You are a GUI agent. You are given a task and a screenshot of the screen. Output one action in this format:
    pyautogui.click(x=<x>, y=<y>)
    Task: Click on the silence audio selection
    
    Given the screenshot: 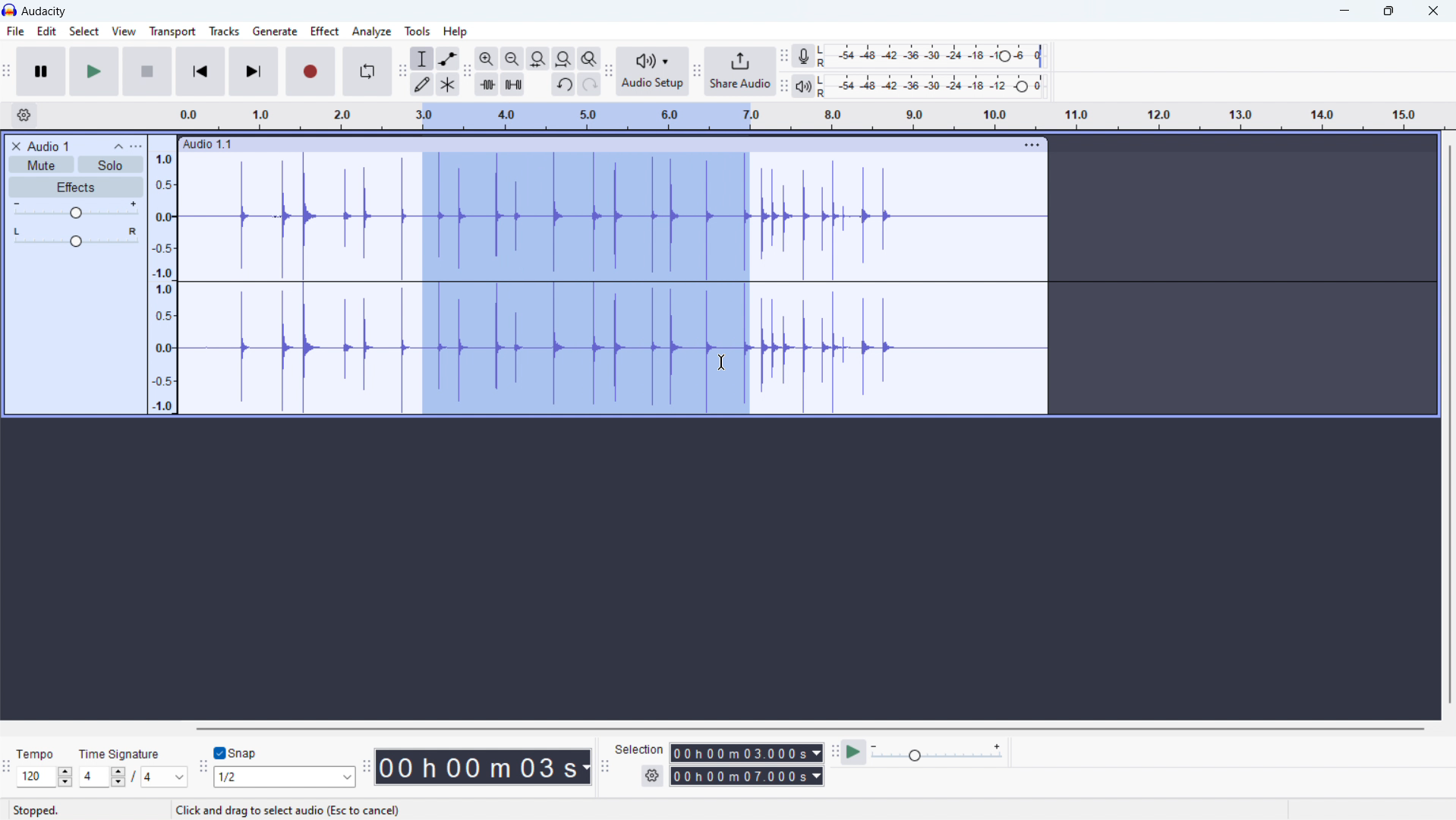 What is the action you would take?
    pyautogui.click(x=512, y=84)
    